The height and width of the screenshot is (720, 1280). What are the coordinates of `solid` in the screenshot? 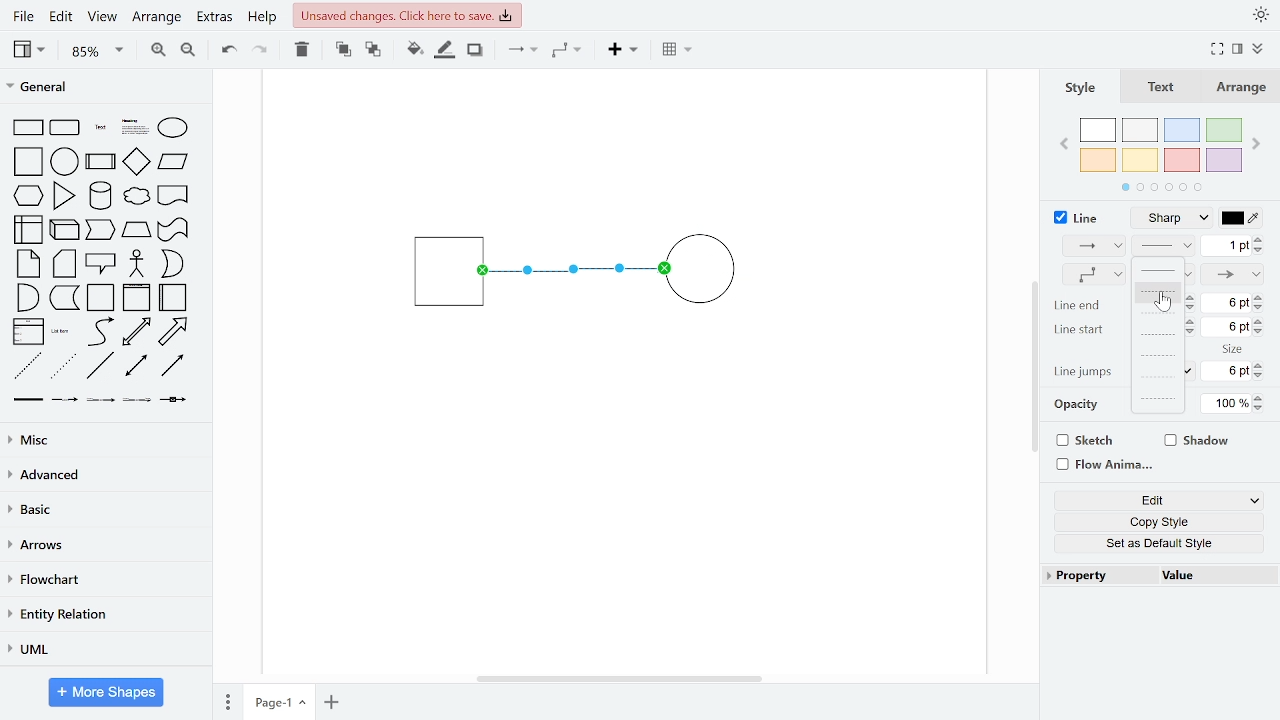 It's located at (1156, 271).